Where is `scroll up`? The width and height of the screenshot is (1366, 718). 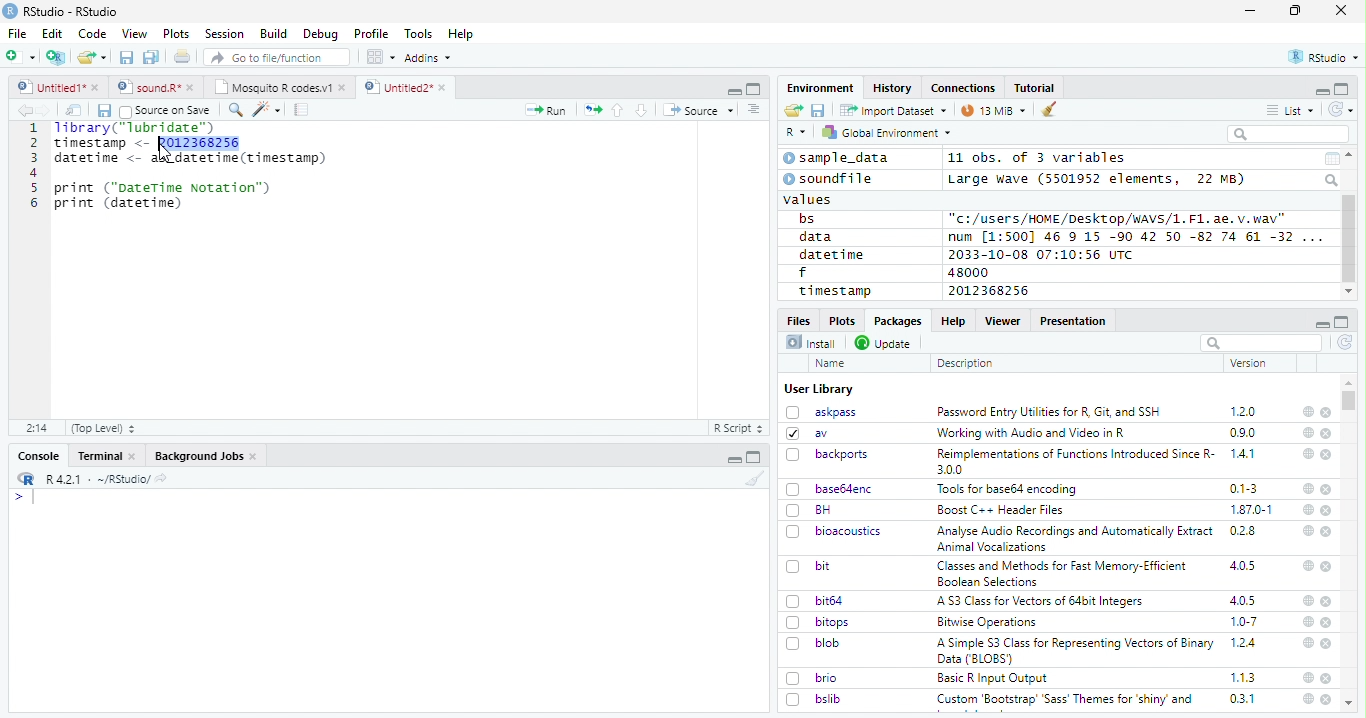
scroll up is located at coordinates (1351, 155).